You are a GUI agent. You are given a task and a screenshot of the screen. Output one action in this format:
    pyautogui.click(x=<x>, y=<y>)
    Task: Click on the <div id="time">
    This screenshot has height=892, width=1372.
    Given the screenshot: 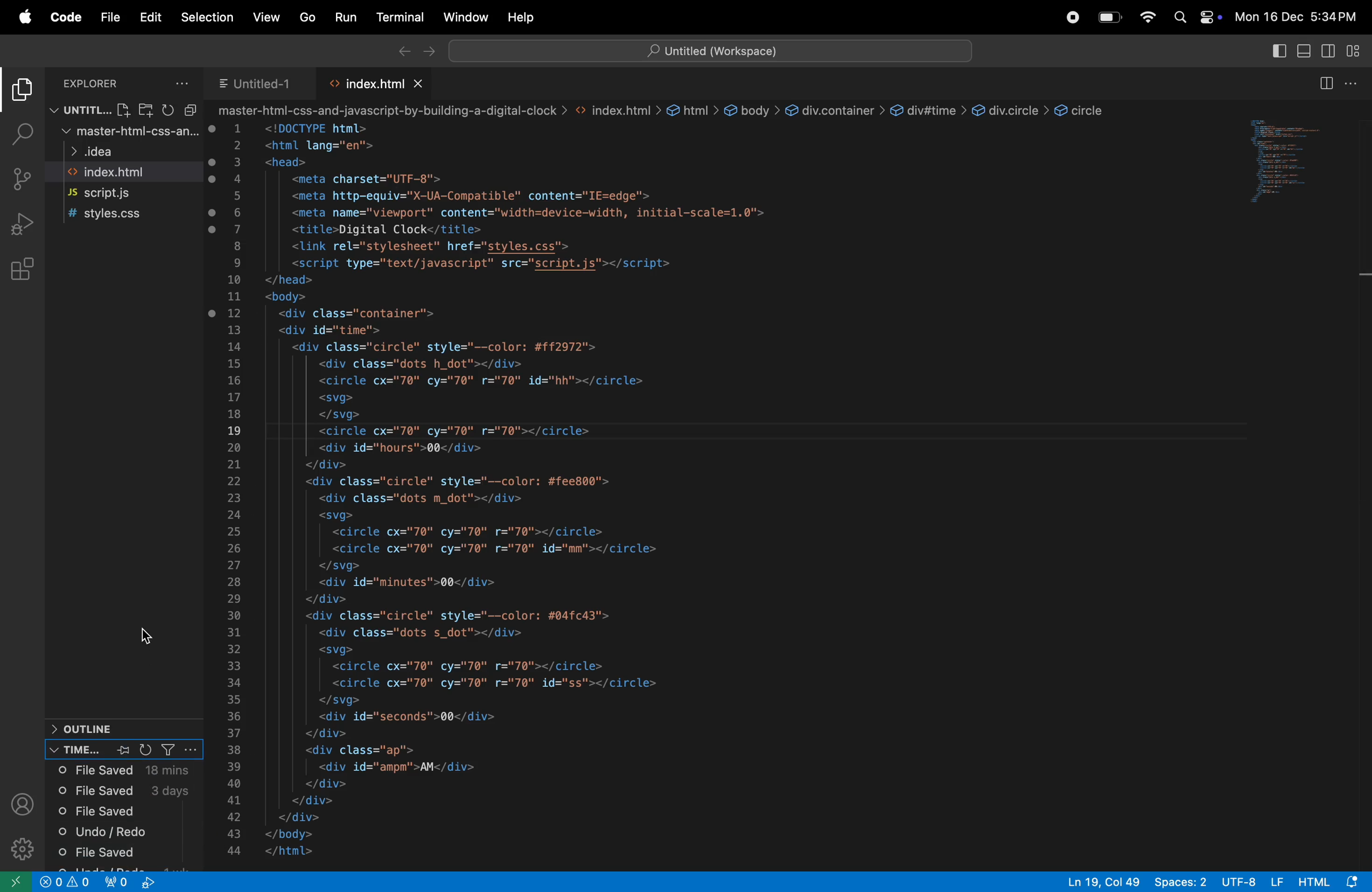 What is the action you would take?
    pyautogui.click(x=330, y=331)
    